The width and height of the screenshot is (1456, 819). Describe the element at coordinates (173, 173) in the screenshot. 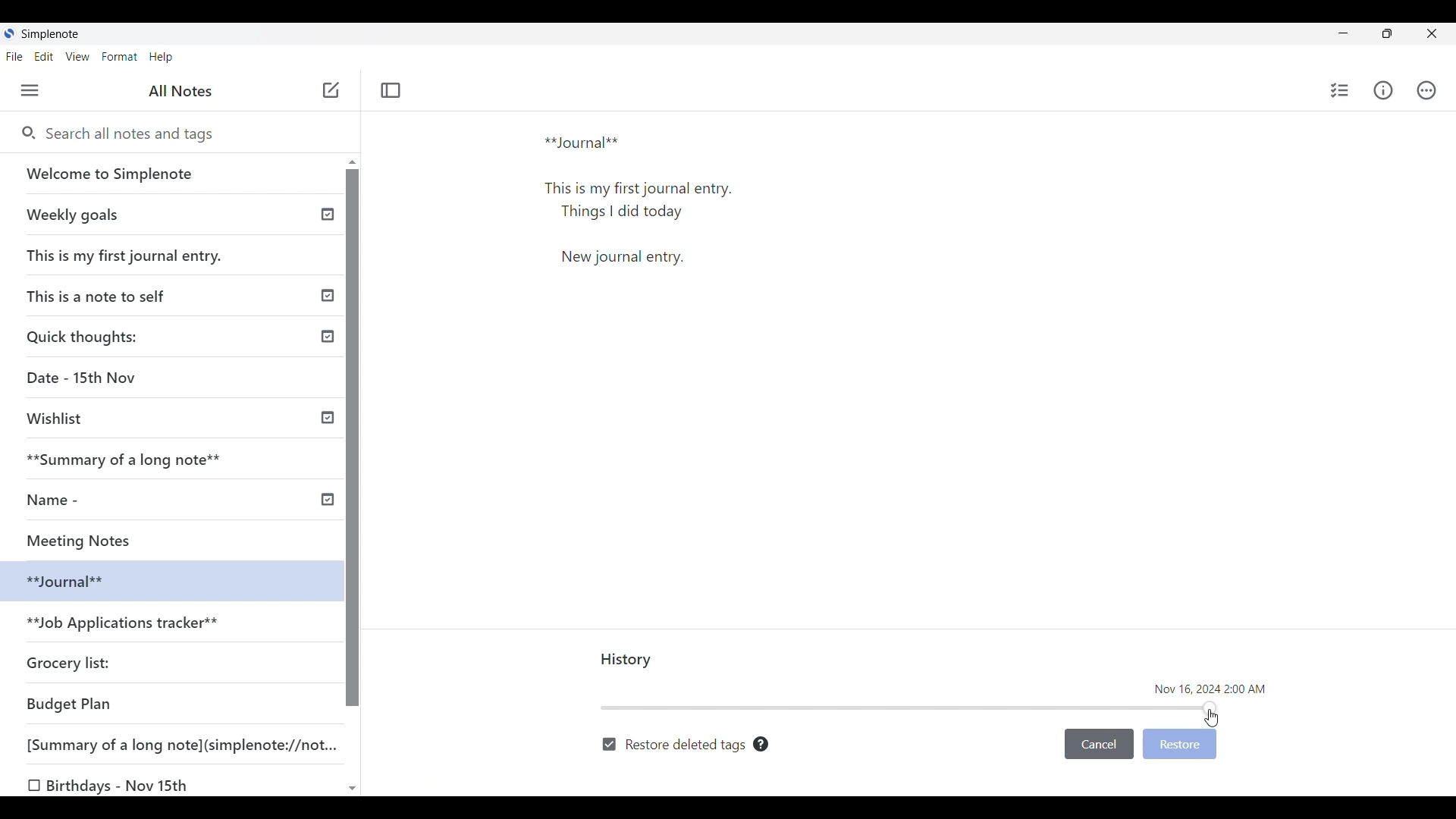

I see `Welcome note by SimpleNote` at that location.